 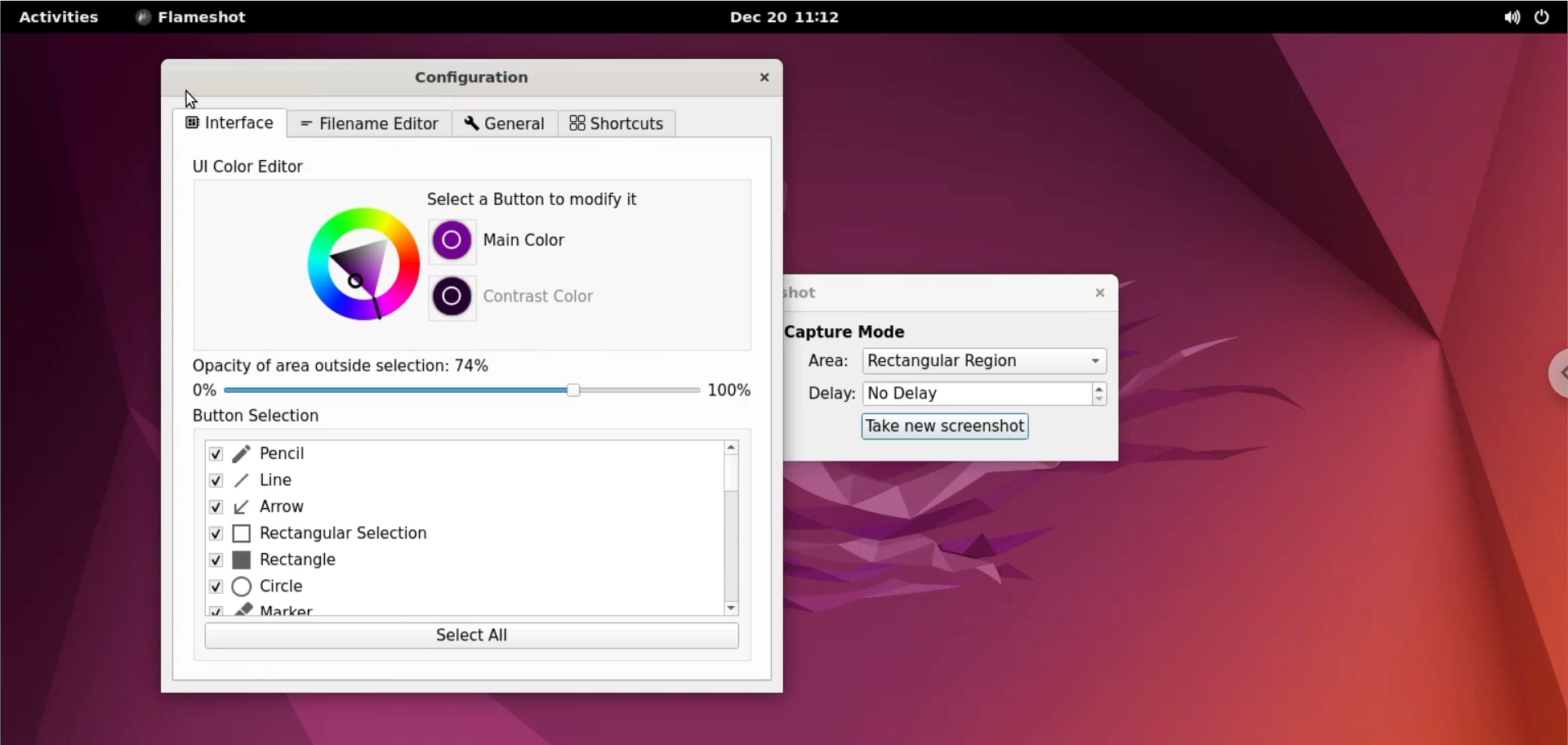 I want to click on rectangular selection checkbox, so click(x=454, y=534).